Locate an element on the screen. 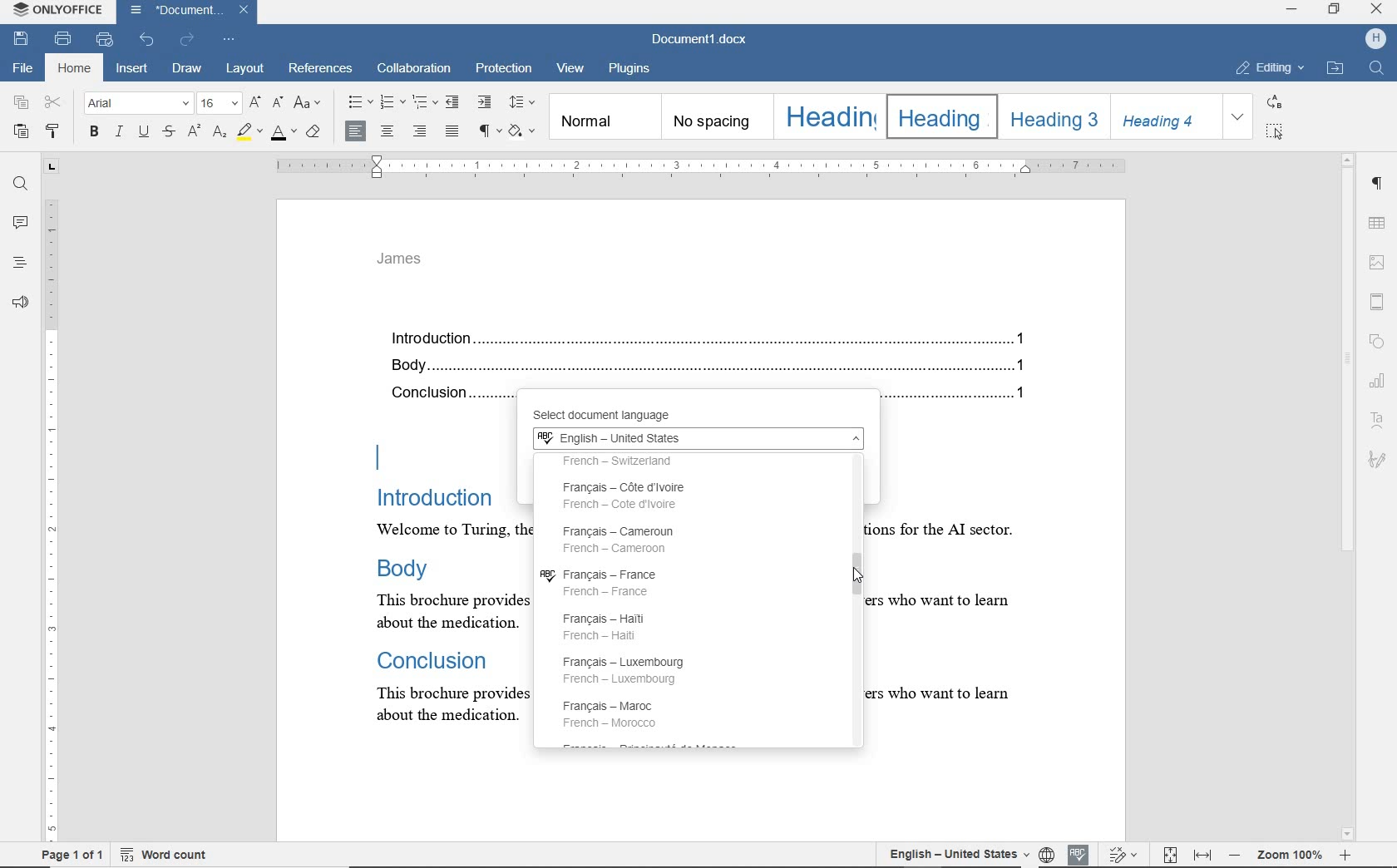  undo is located at coordinates (148, 38).